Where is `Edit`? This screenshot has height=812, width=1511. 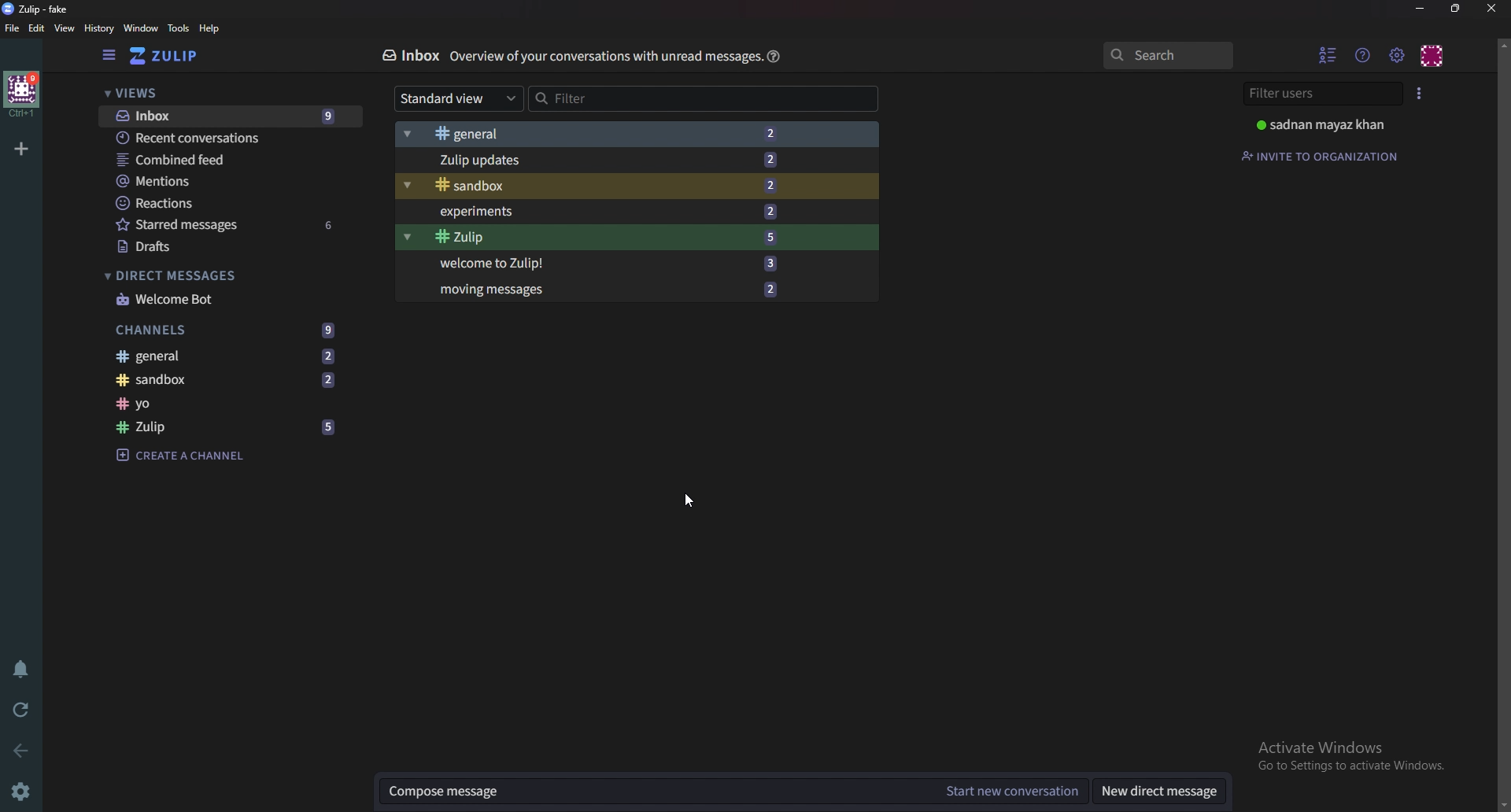
Edit is located at coordinates (36, 28).